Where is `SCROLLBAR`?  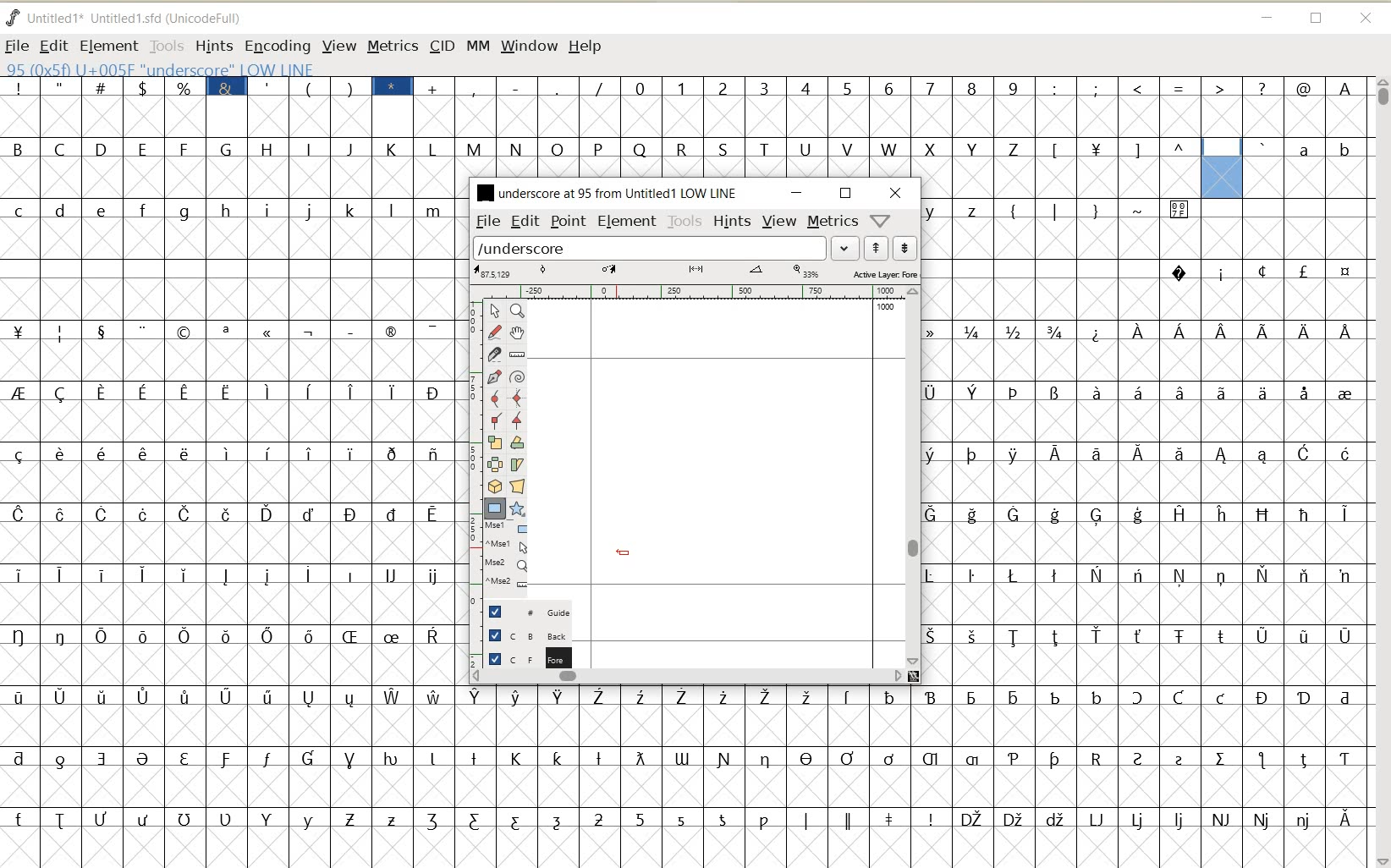
SCROLLBAR is located at coordinates (914, 477).